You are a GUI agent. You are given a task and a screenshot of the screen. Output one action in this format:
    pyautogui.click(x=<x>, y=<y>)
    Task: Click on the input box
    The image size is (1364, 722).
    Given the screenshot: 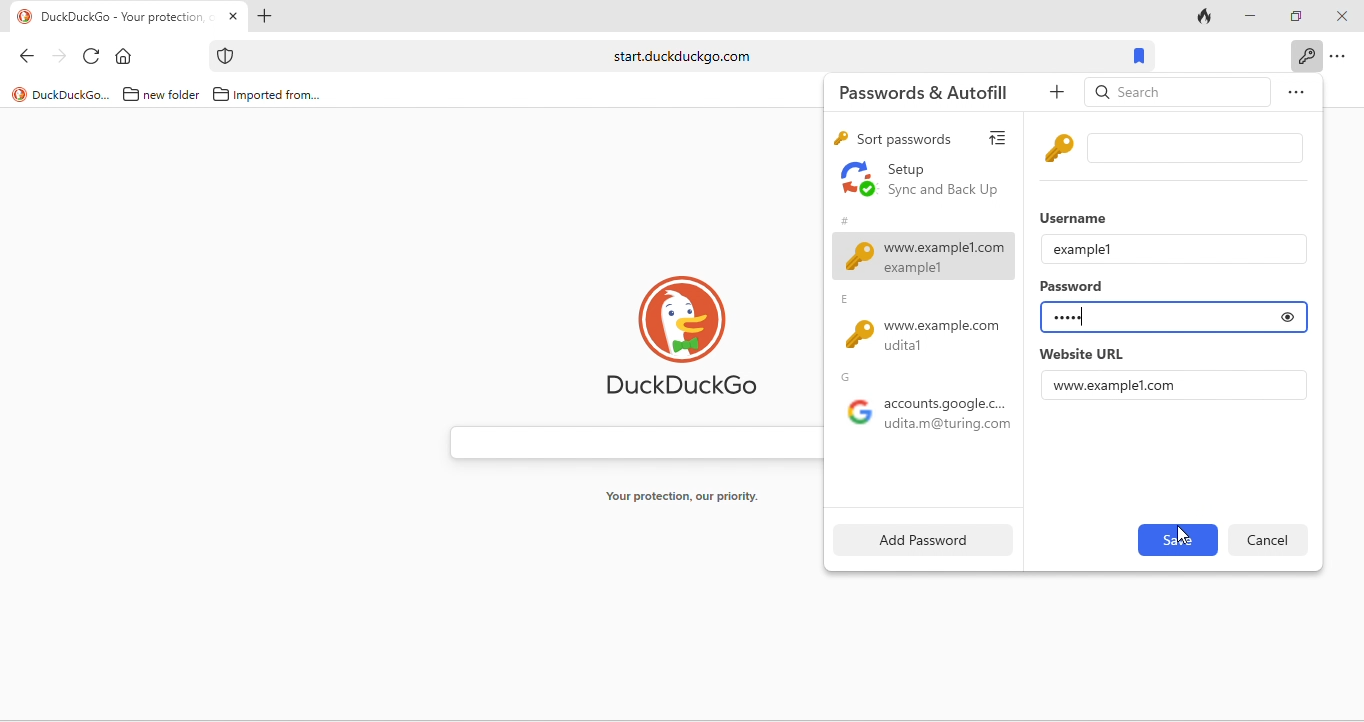 What is the action you would take?
    pyautogui.click(x=1199, y=148)
    